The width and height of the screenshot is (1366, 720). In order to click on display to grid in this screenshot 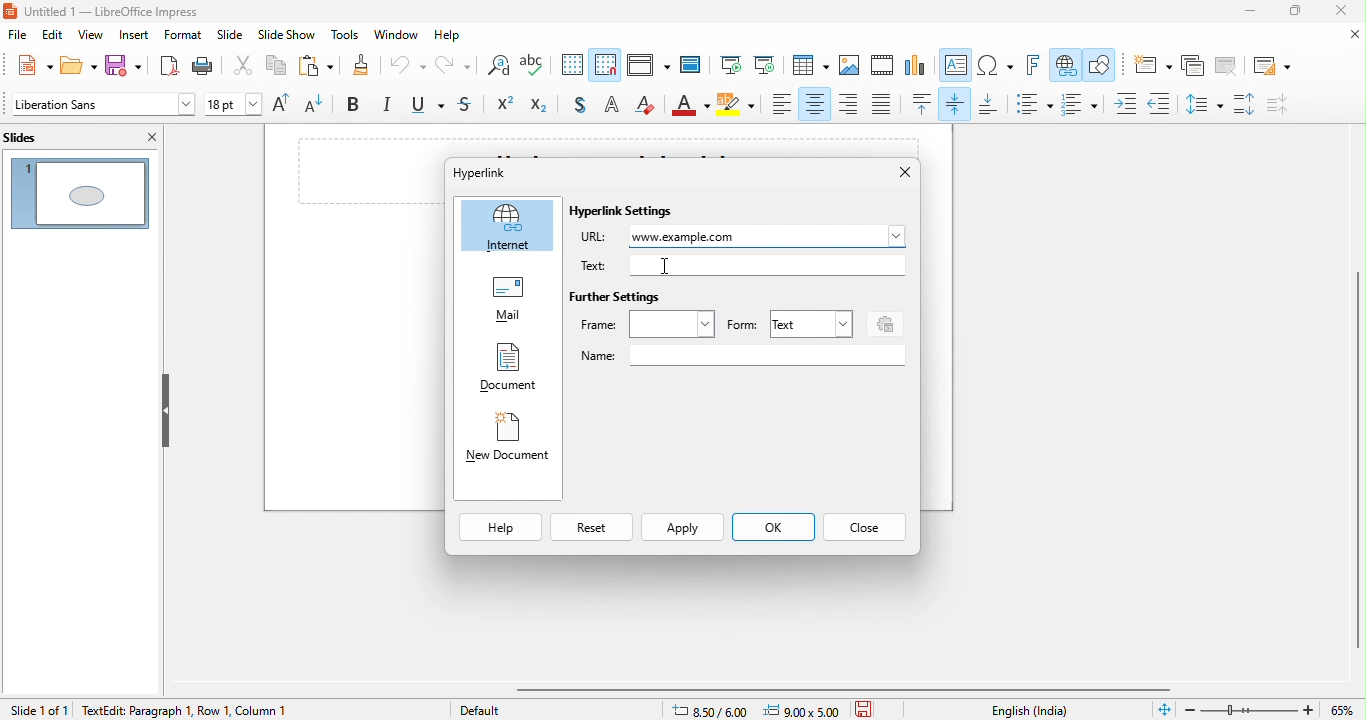, I will do `click(573, 66)`.